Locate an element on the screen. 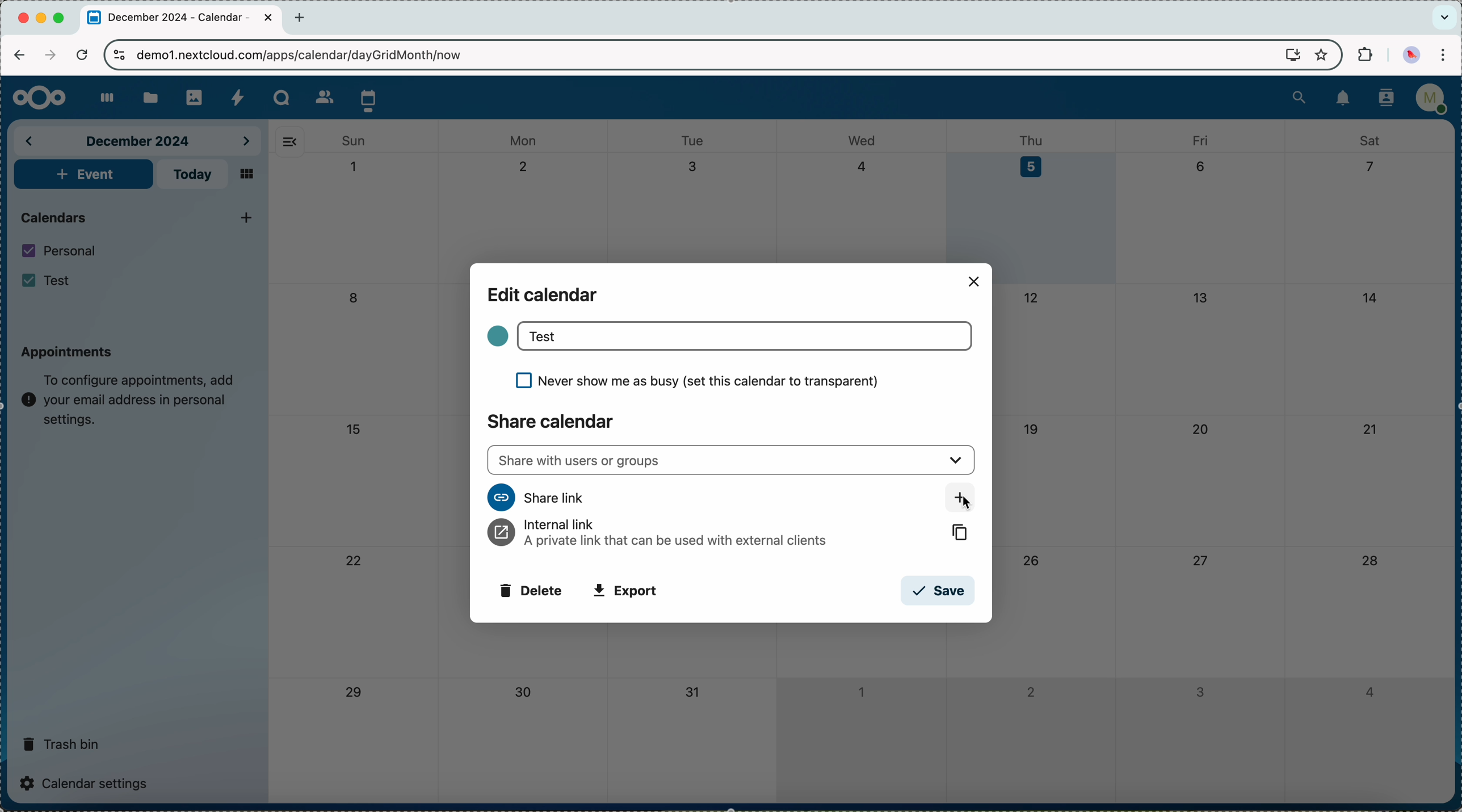 The width and height of the screenshot is (1462, 812). tue is located at coordinates (692, 140).